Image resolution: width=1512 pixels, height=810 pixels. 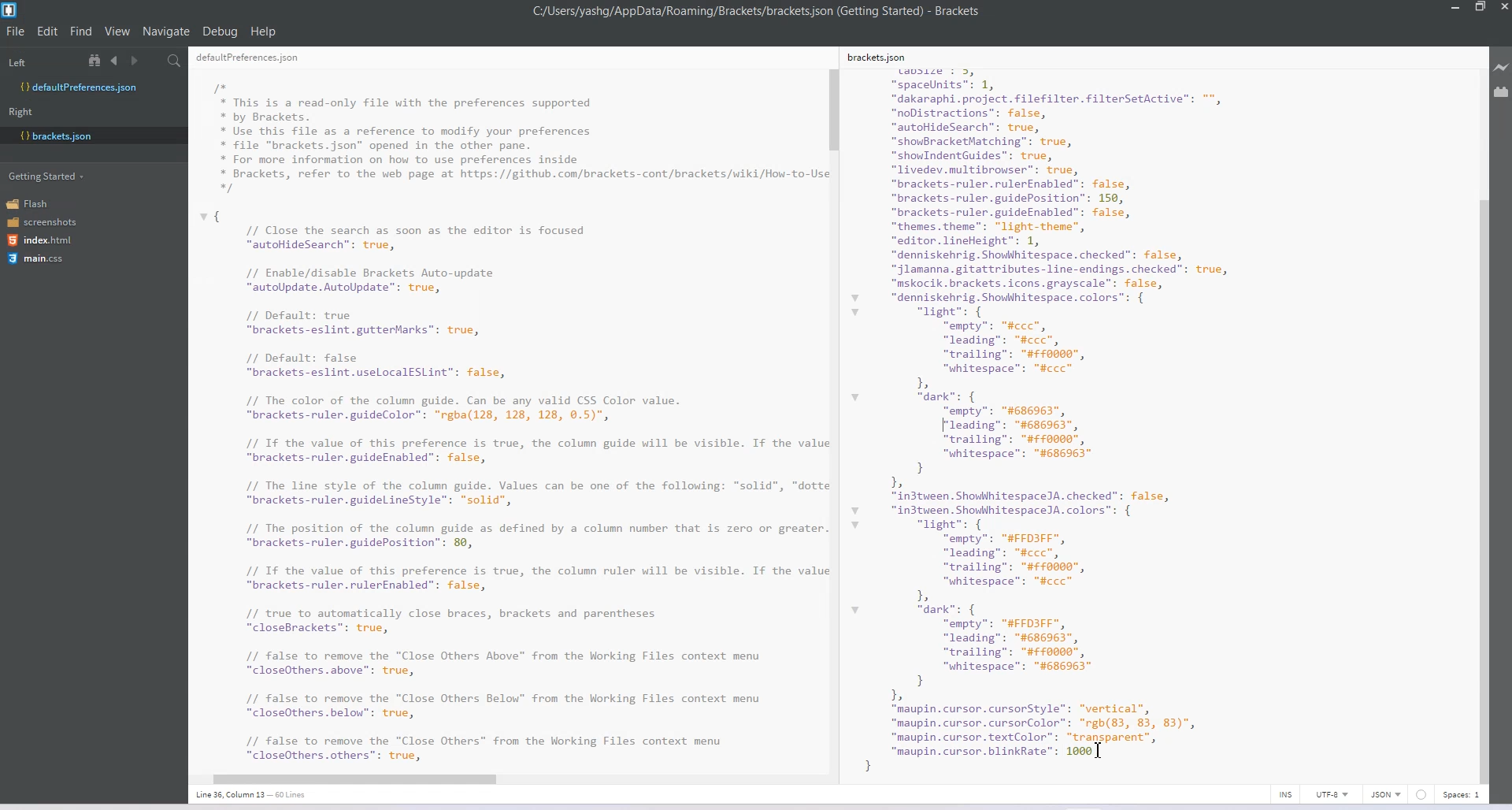 I want to click on Find, so click(x=82, y=31).